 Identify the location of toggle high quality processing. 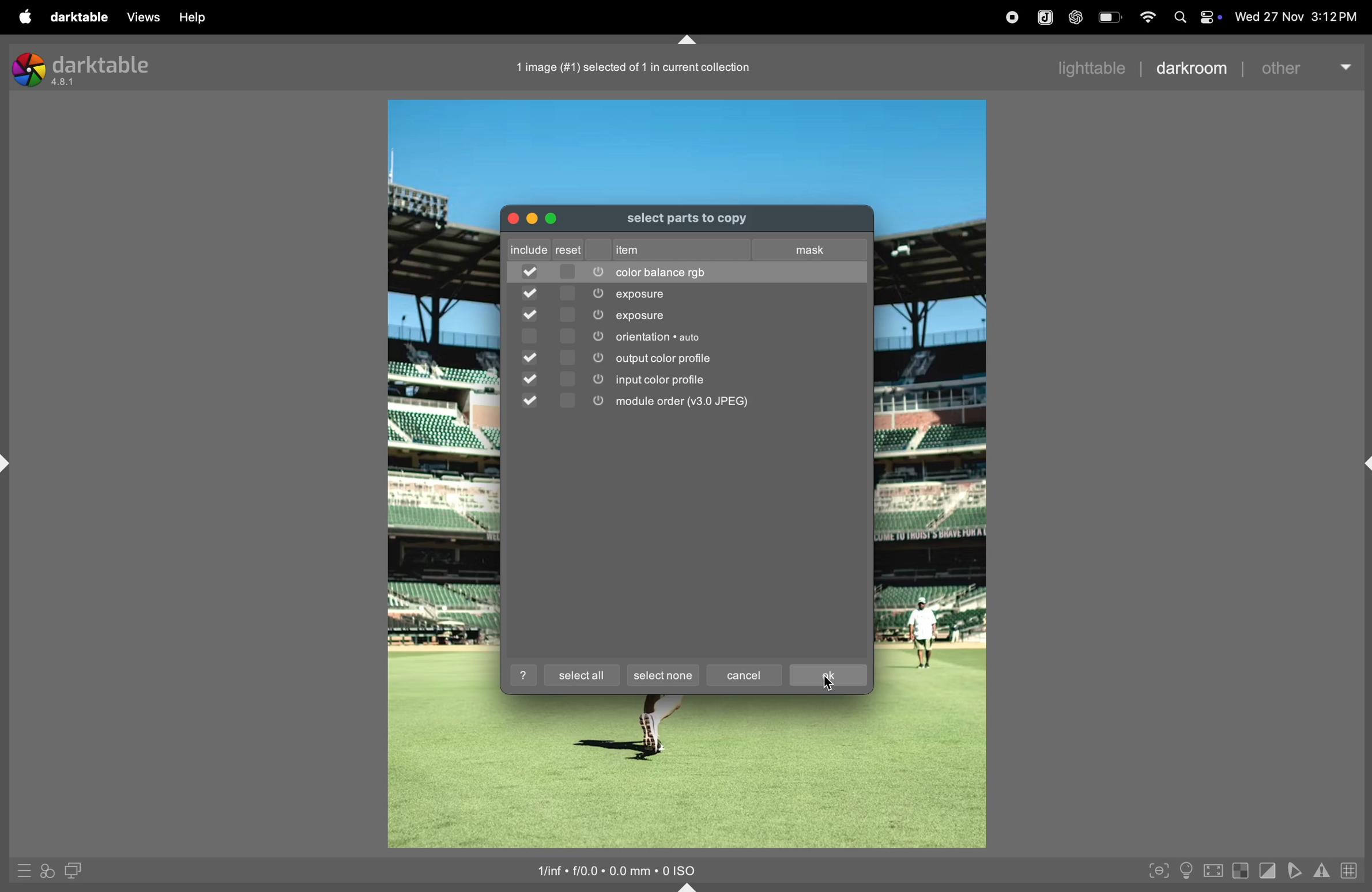
(1213, 872).